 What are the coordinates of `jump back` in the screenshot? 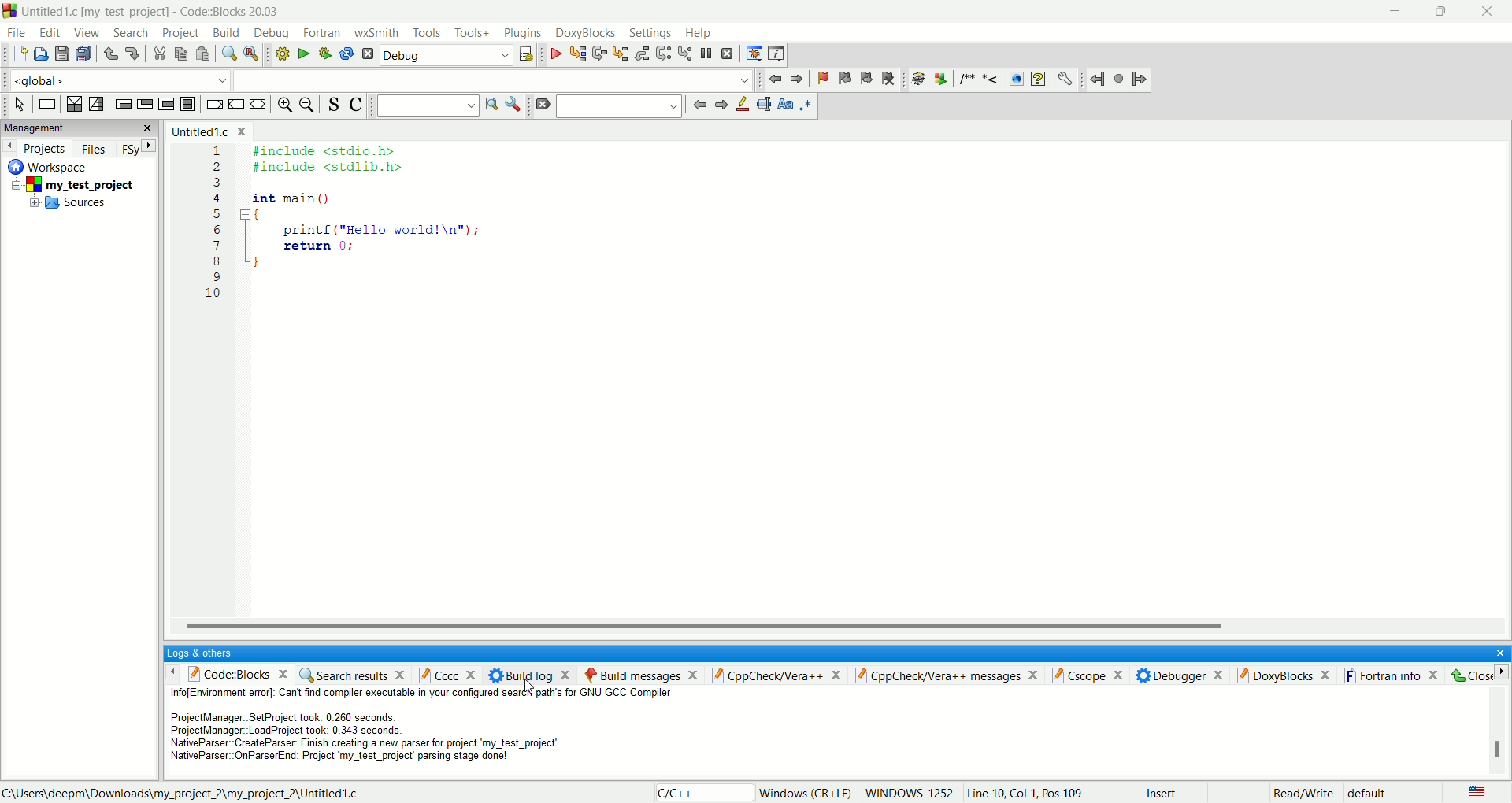 It's located at (699, 105).